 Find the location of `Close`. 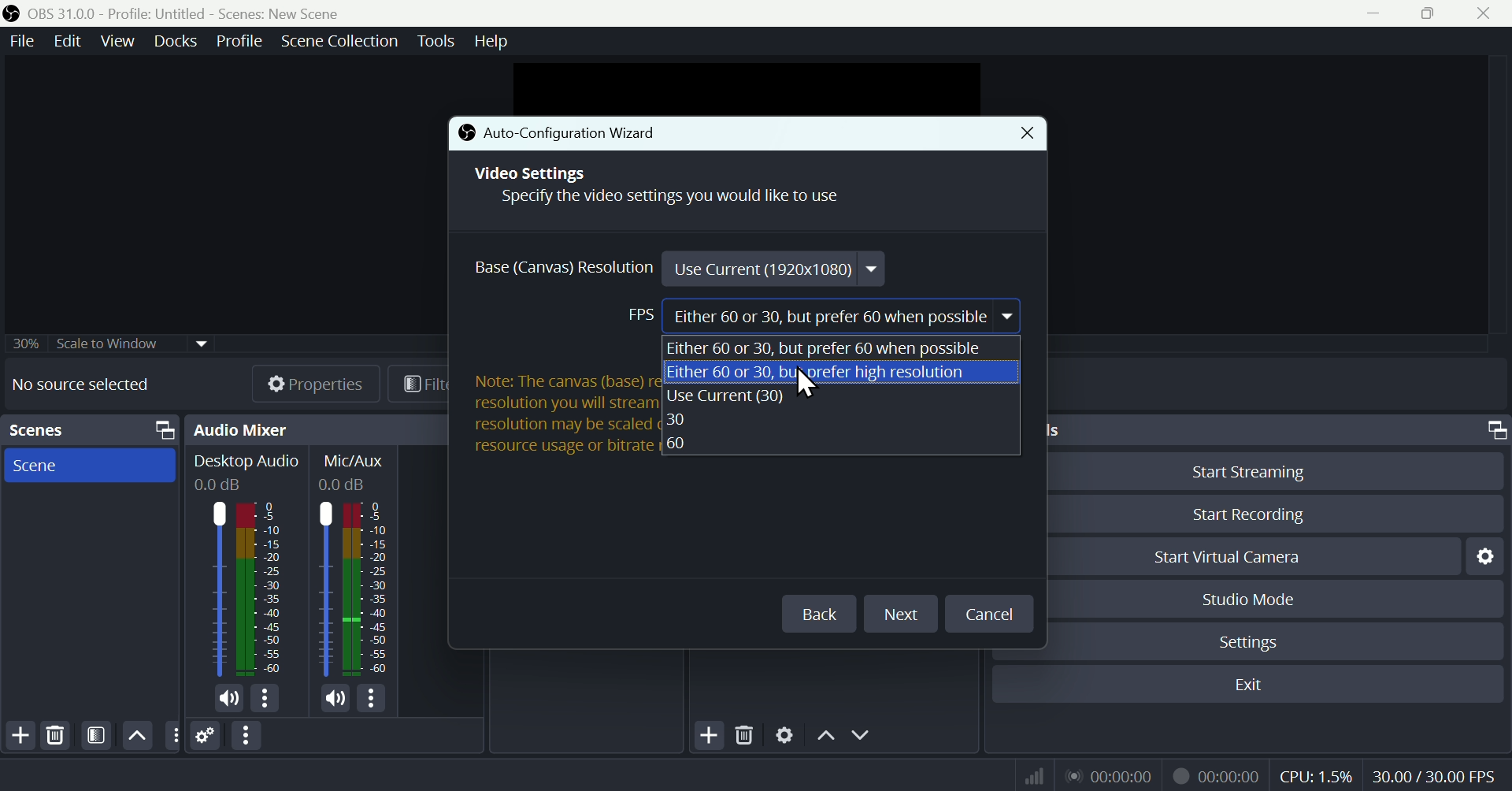

Close is located at coordinates (1025, 134).